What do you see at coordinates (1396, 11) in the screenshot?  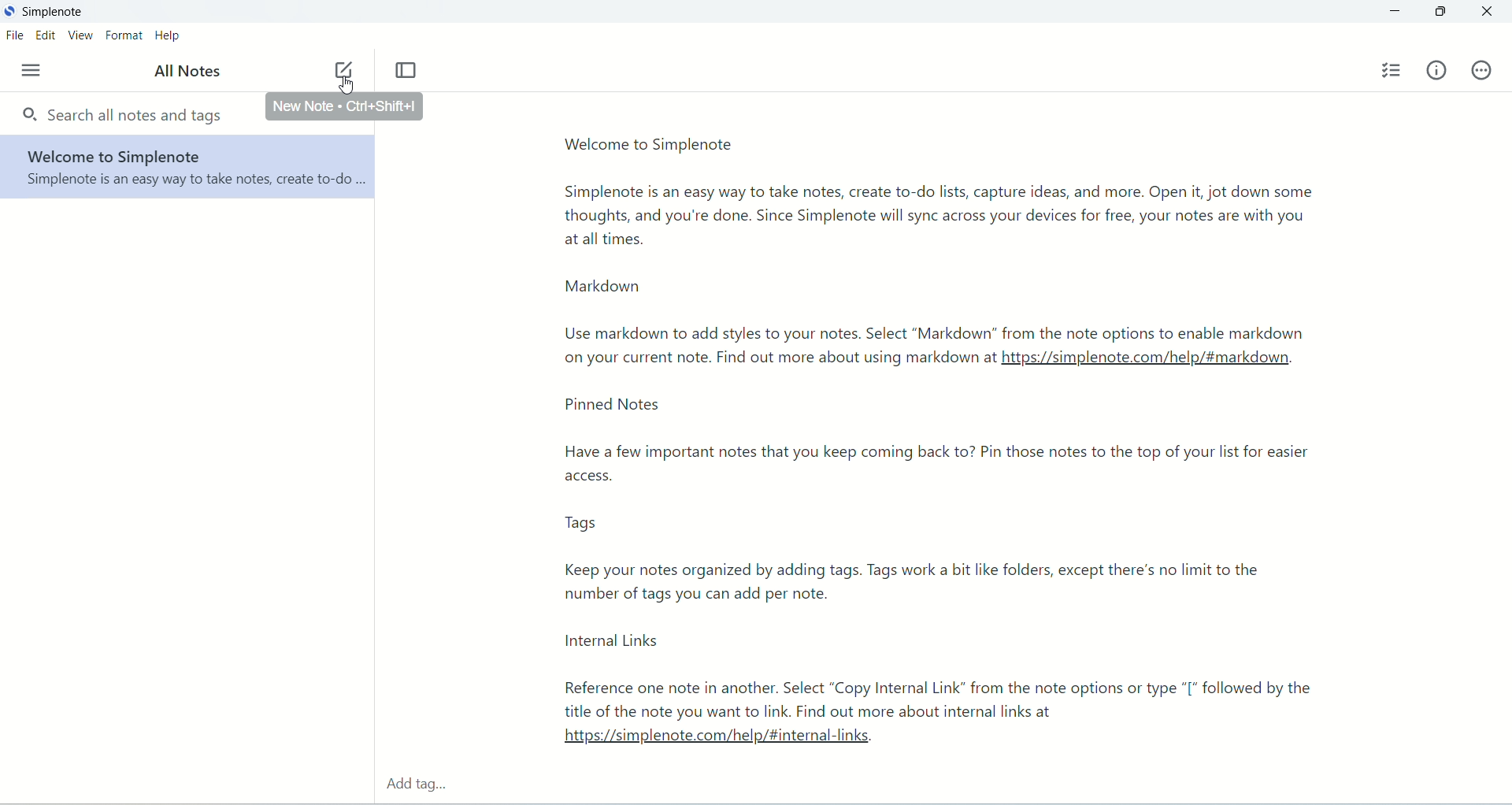 I see `minimize` at bounding box center [1396, 11].